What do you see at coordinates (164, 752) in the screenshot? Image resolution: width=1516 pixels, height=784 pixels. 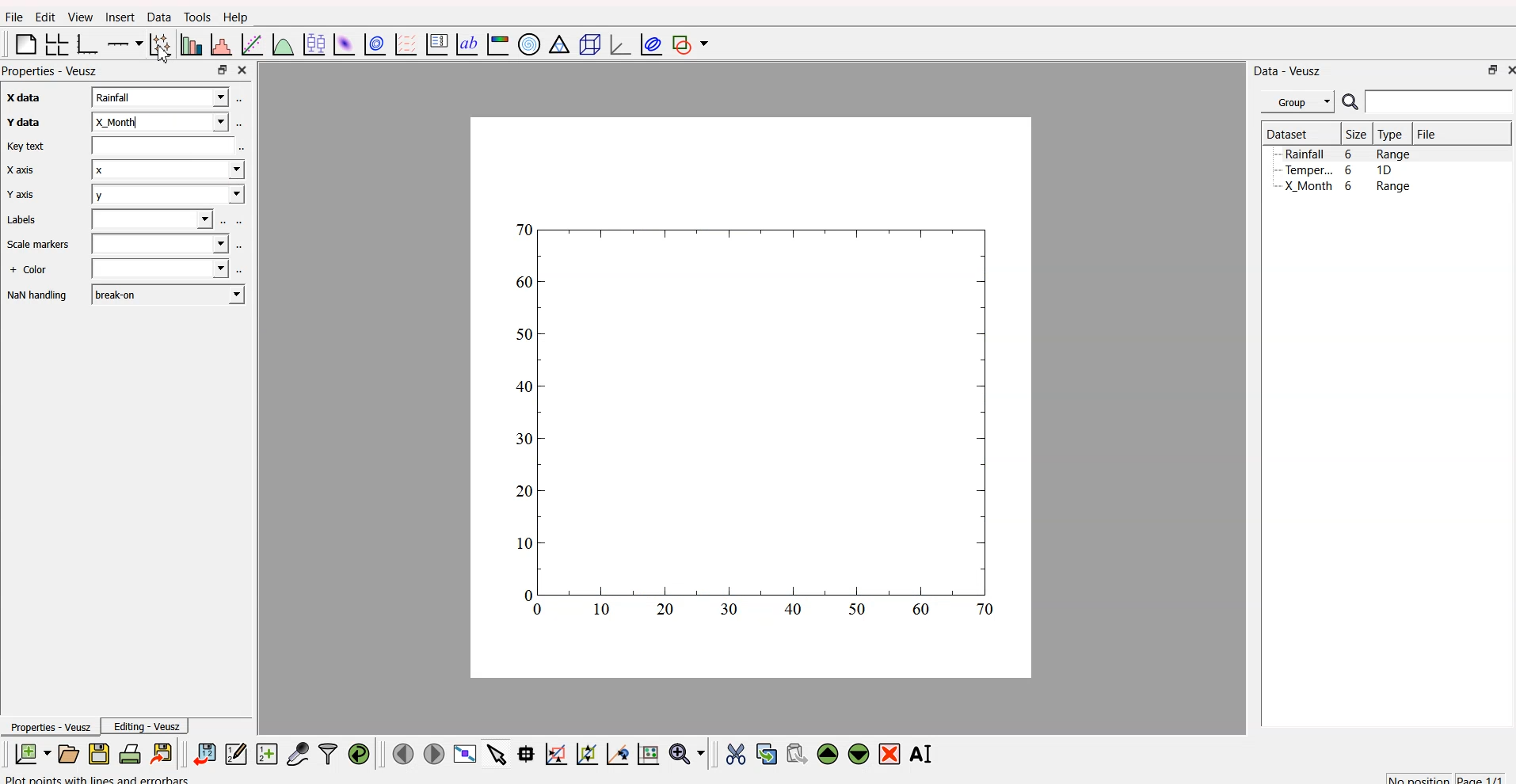 I see `export to graphics format` at bounding box center [164, 752].